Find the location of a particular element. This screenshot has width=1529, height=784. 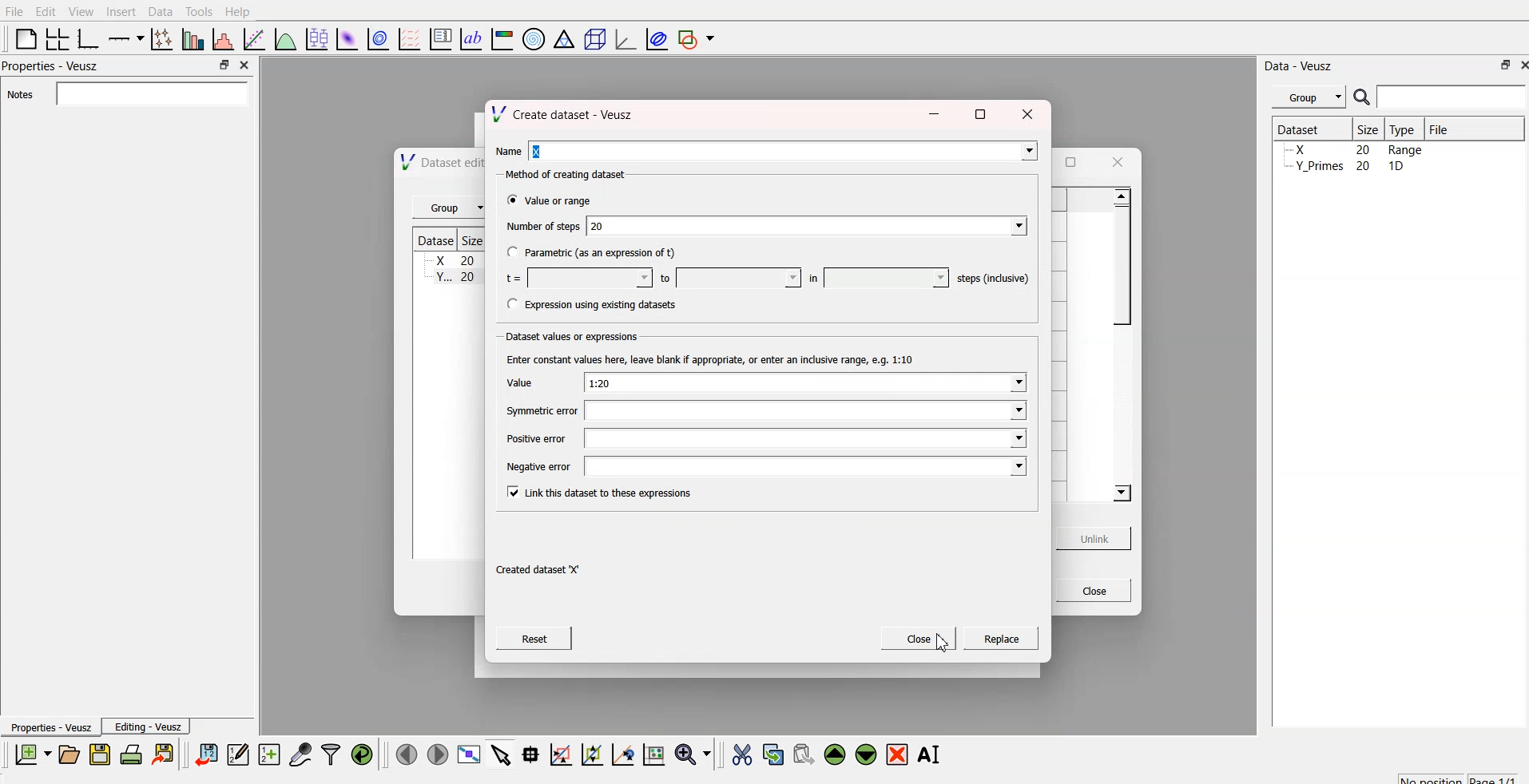

paste the widget from the clipboard is located at coordinates (804, 754).